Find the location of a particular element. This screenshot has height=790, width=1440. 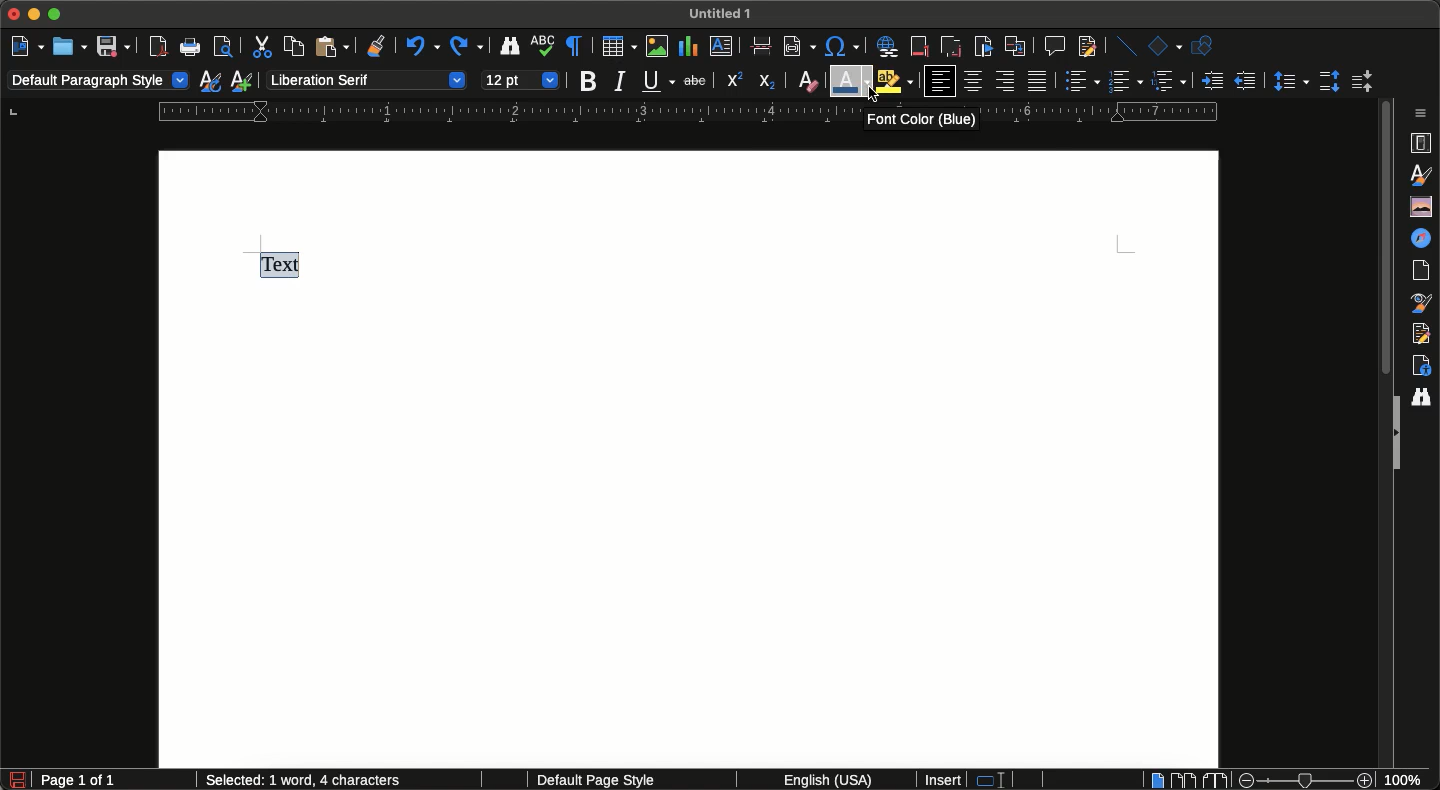

Clone formatting is located at coordinates (378, 48).